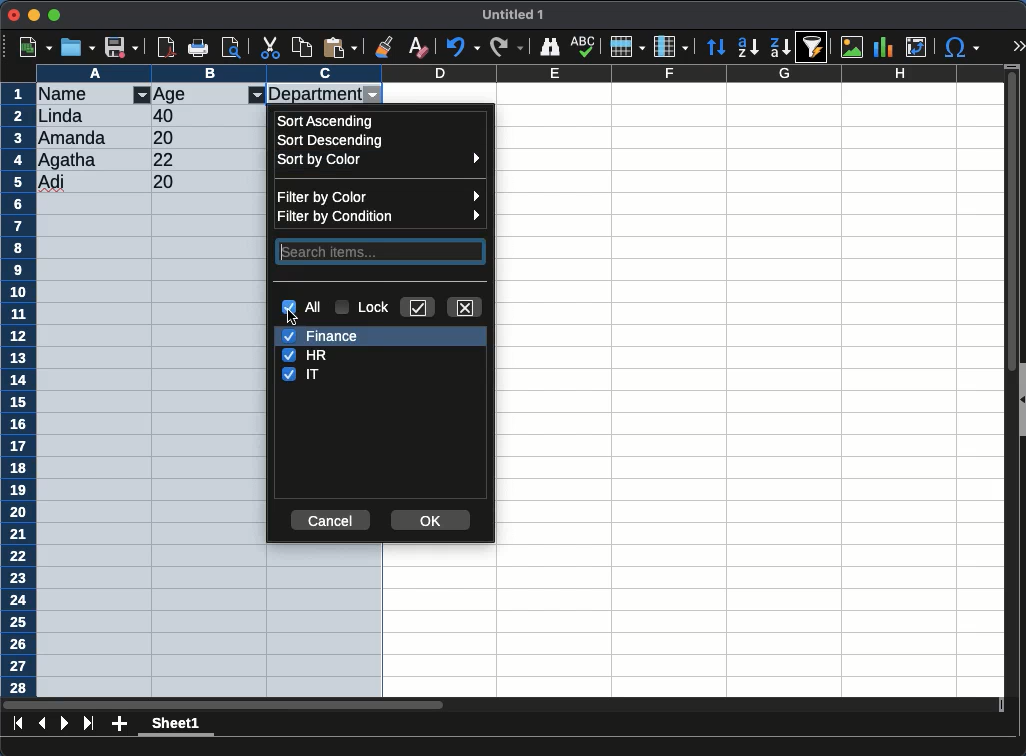 Image resolution: width=1026 pixels, height=756 pixels. Describe the element at coordinates (1020, 399) in the screenshot. I see `collapse` at that location.